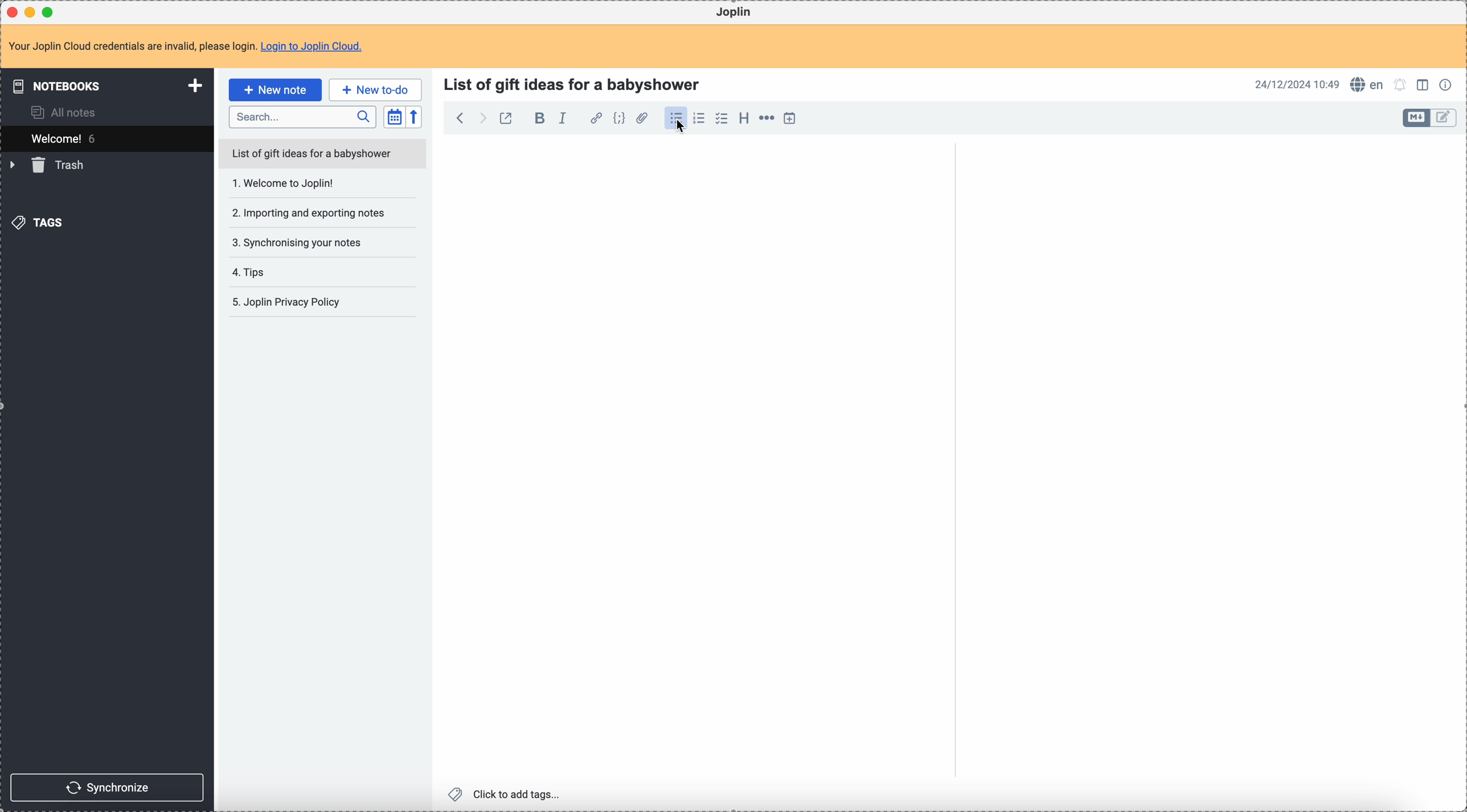 This screenshot has width=1467, height=812. What do you see at coordinates (375, 89) in the screenshot?
I see `new to-do` at bounding box center [375, 89].